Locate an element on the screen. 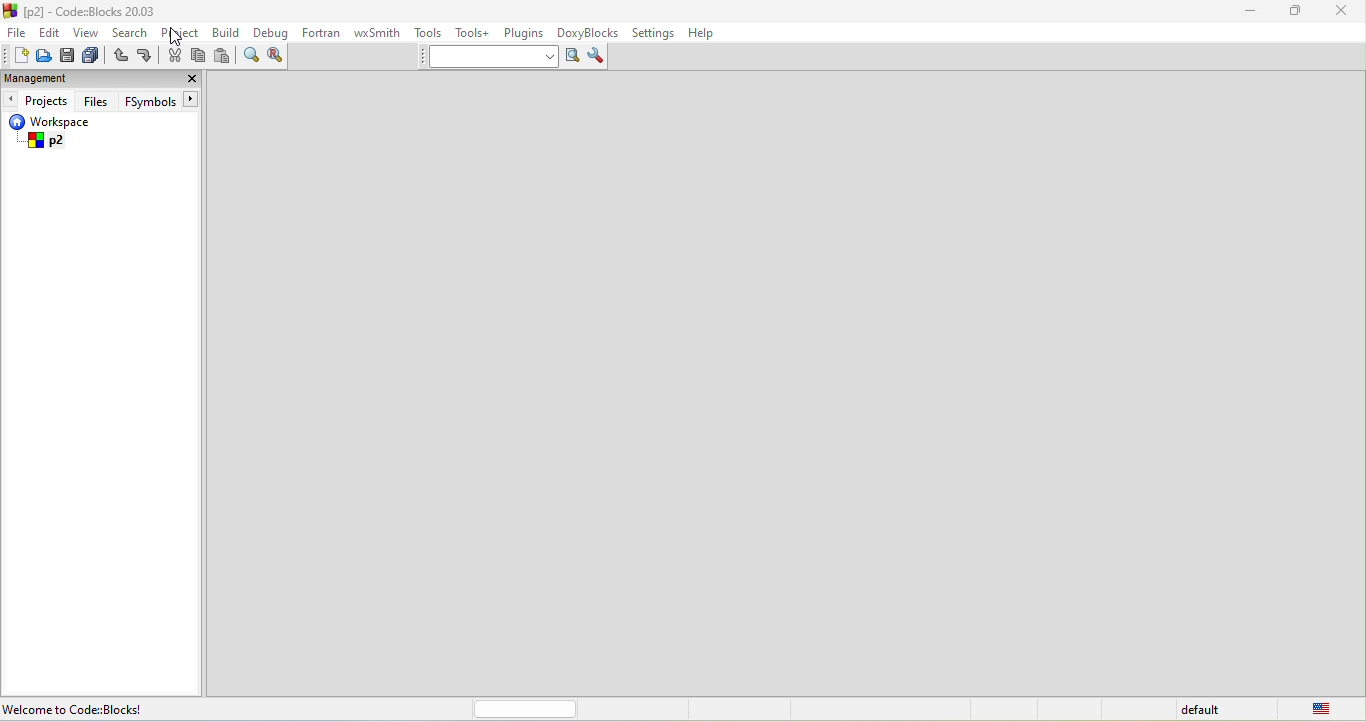  tools is located at coordinates (429, 35).